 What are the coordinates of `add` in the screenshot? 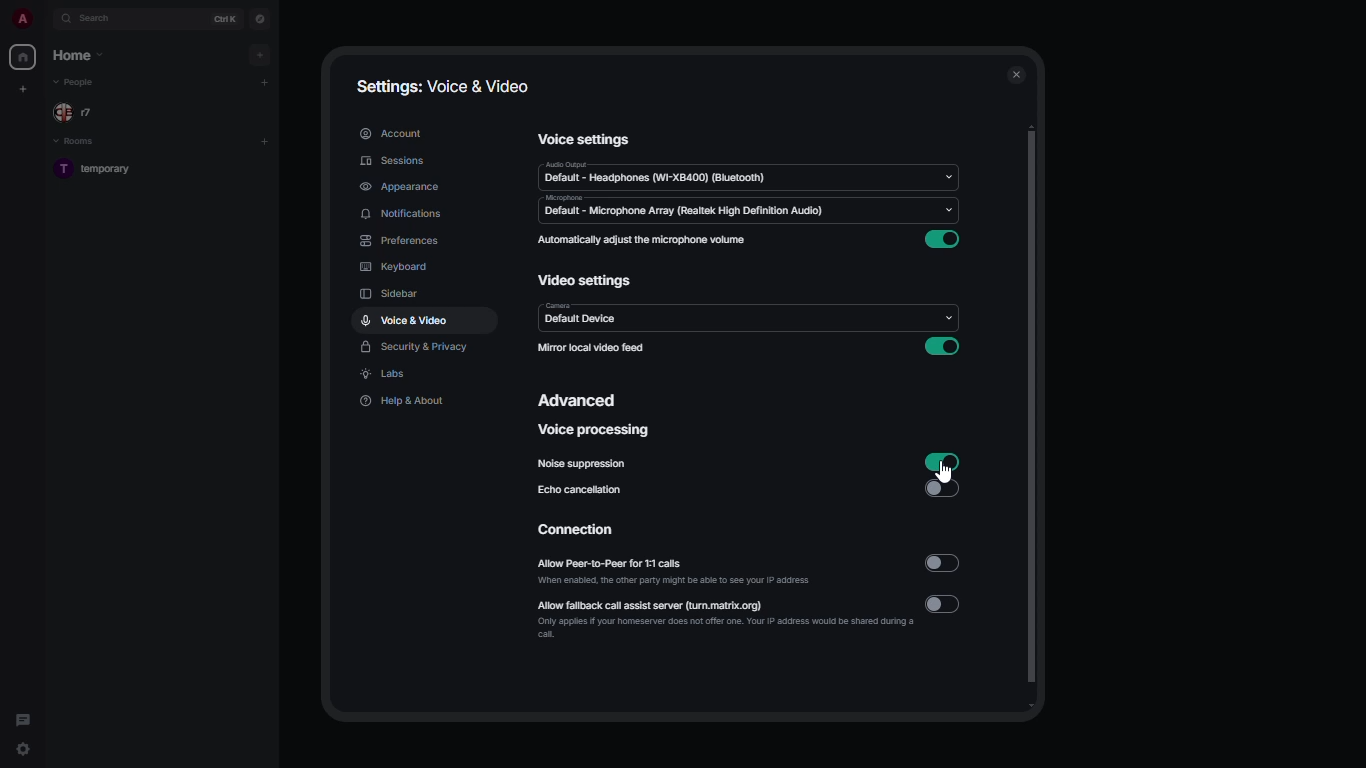 It's located at (261, 54).